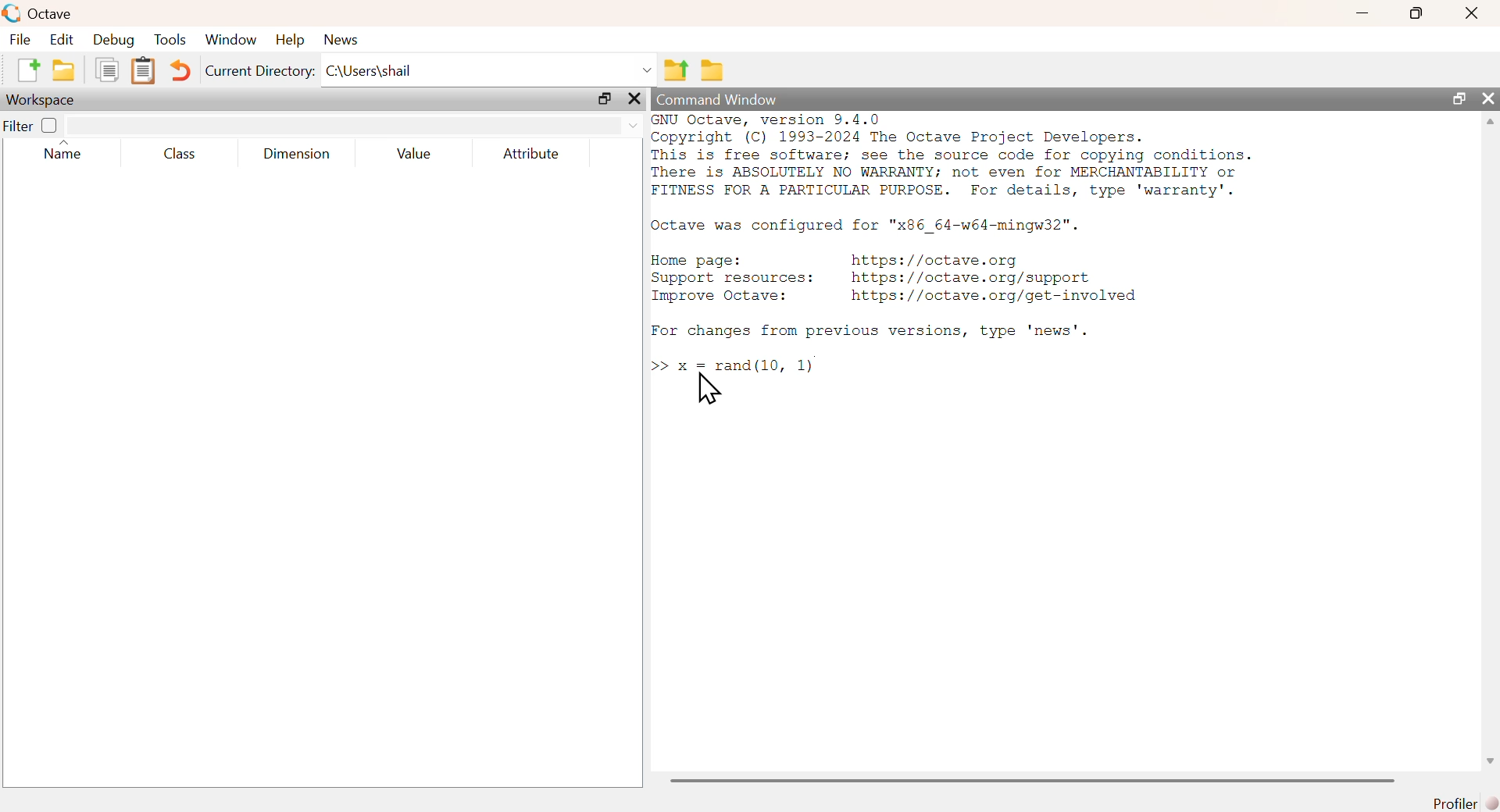 The image size is (1500, 812). Describe the element at coordinates (414, 155) in the screenshot. I see `value` at that location.